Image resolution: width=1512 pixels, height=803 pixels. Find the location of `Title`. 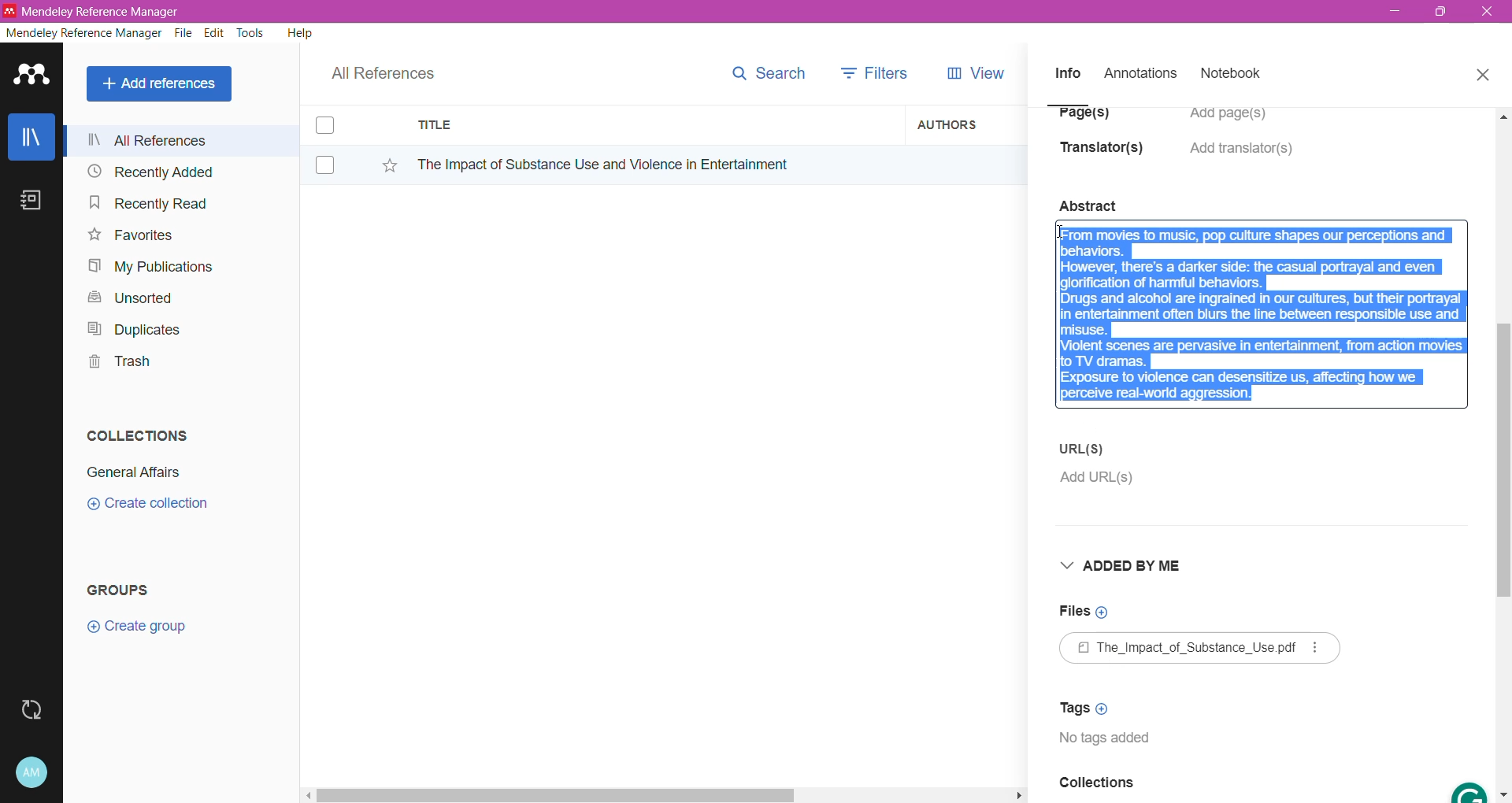

Title is located at coordinates (654, 125).